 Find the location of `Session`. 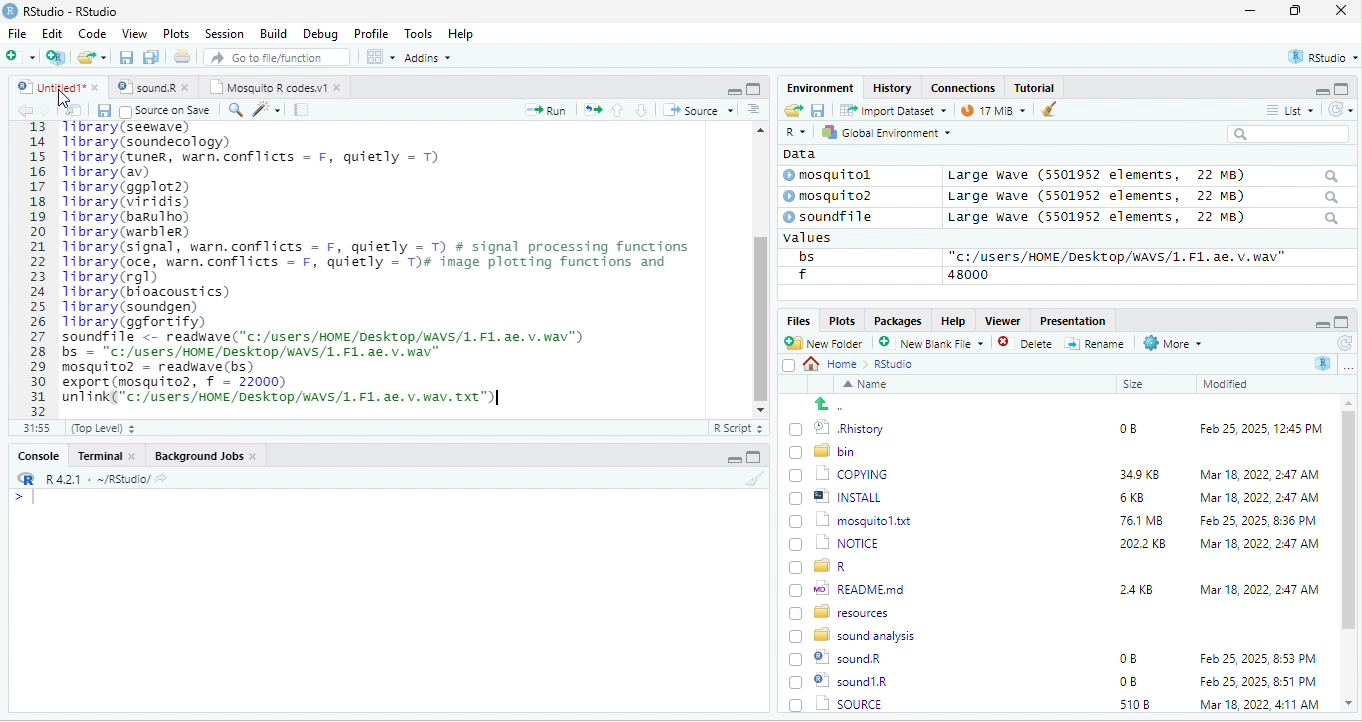

Session is located at coordinates (225, 32).